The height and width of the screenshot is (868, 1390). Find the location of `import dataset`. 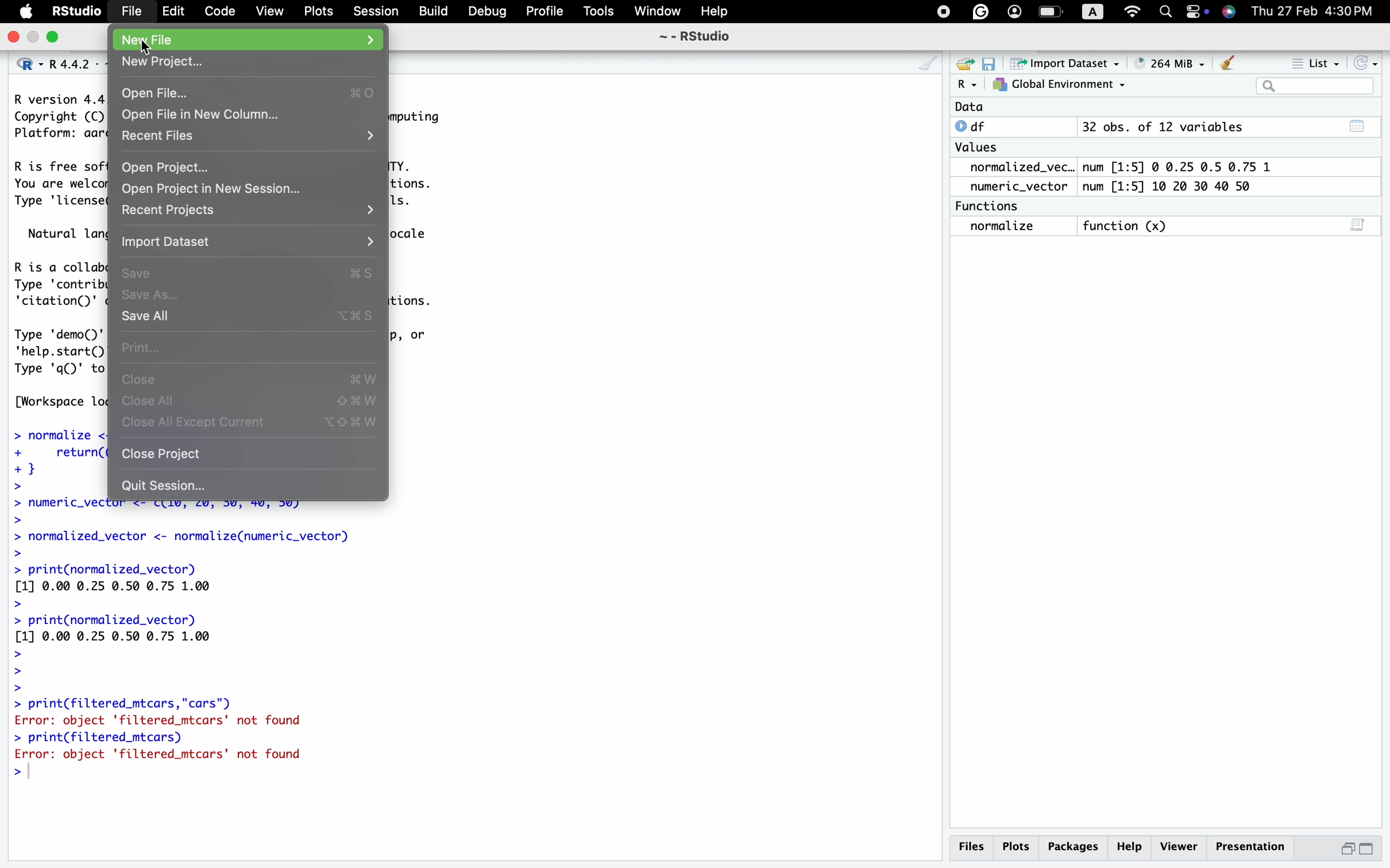

import dataset is located at coordinates (250, 245).